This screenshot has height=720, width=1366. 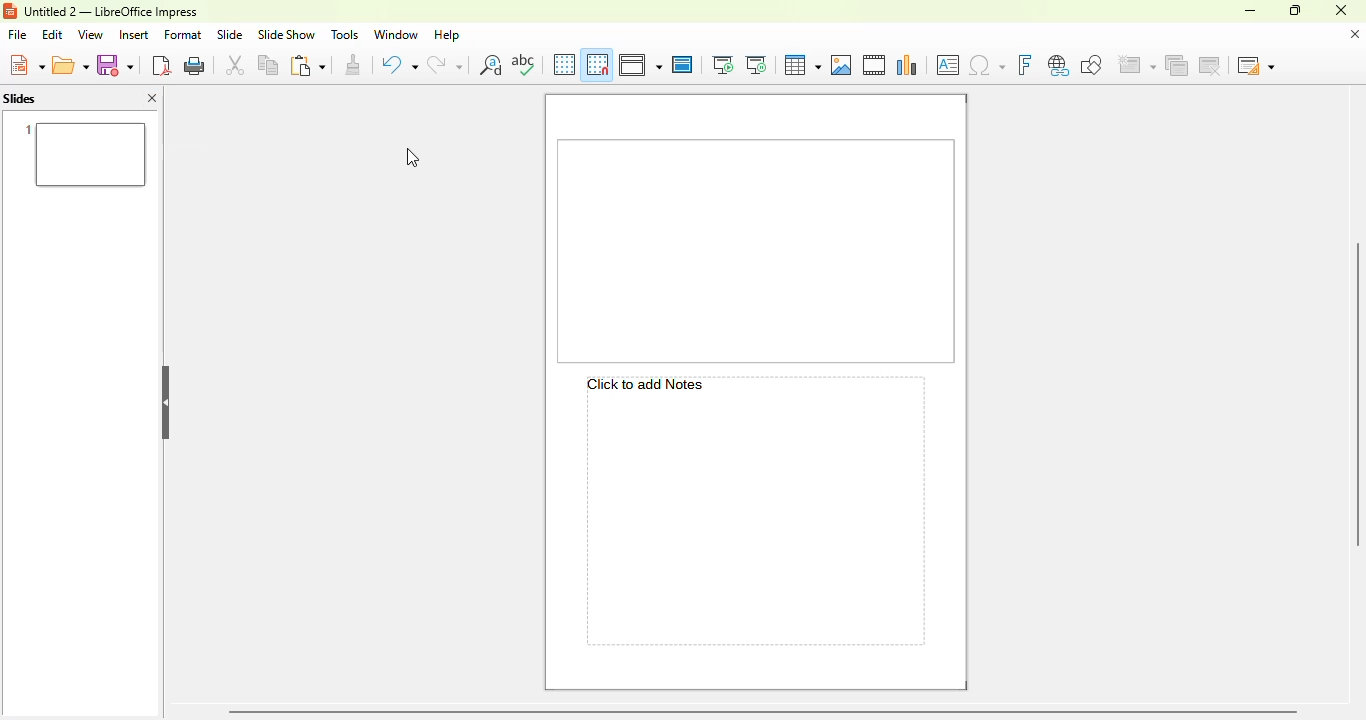 I want to click on slide layout, so click(x=1256, y=64).